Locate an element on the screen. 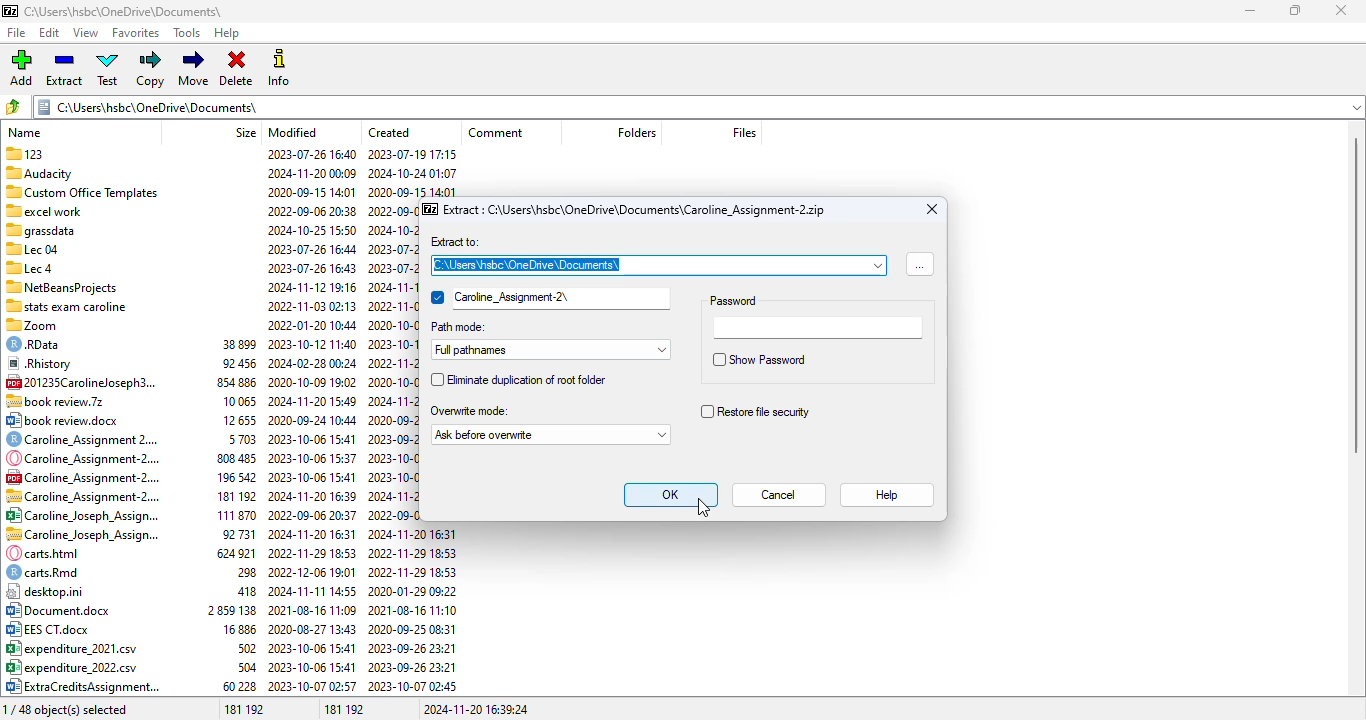  expenditure_2021.csv. 502 2023-10-06 15:41 2023-09-26 23:21 is located at coordinates (231, 649).